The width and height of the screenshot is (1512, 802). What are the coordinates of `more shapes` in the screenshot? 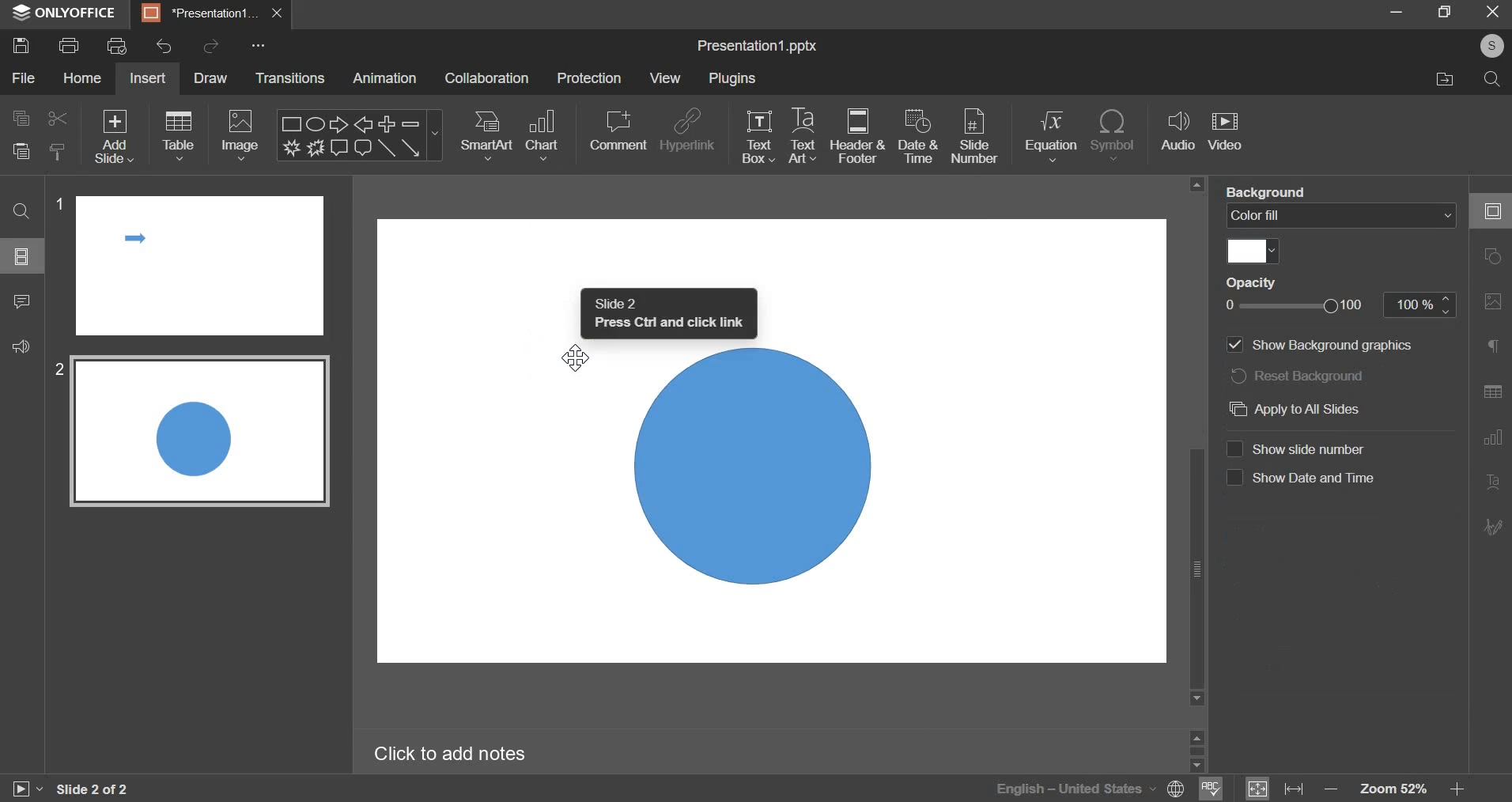 It's located at (436, 133).